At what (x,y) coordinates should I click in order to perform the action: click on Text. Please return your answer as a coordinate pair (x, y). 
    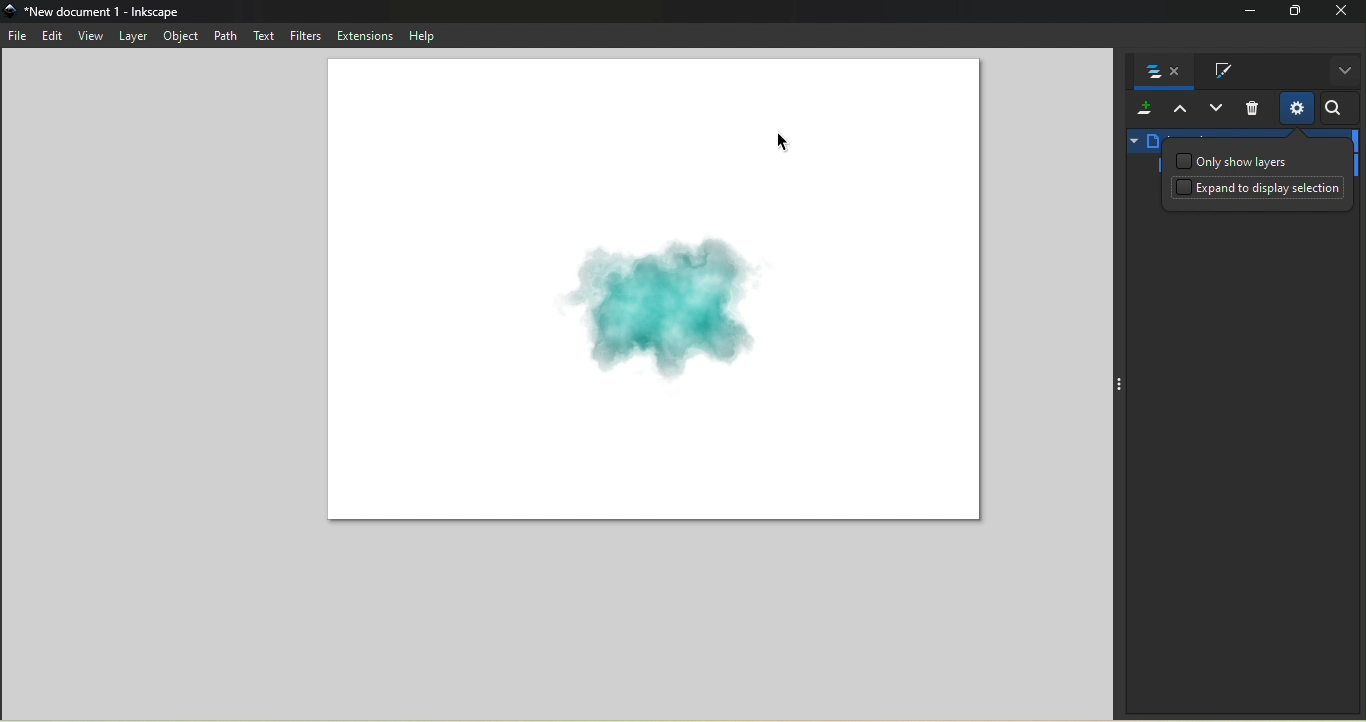
    Looking at the image, I should click on (262, 37).